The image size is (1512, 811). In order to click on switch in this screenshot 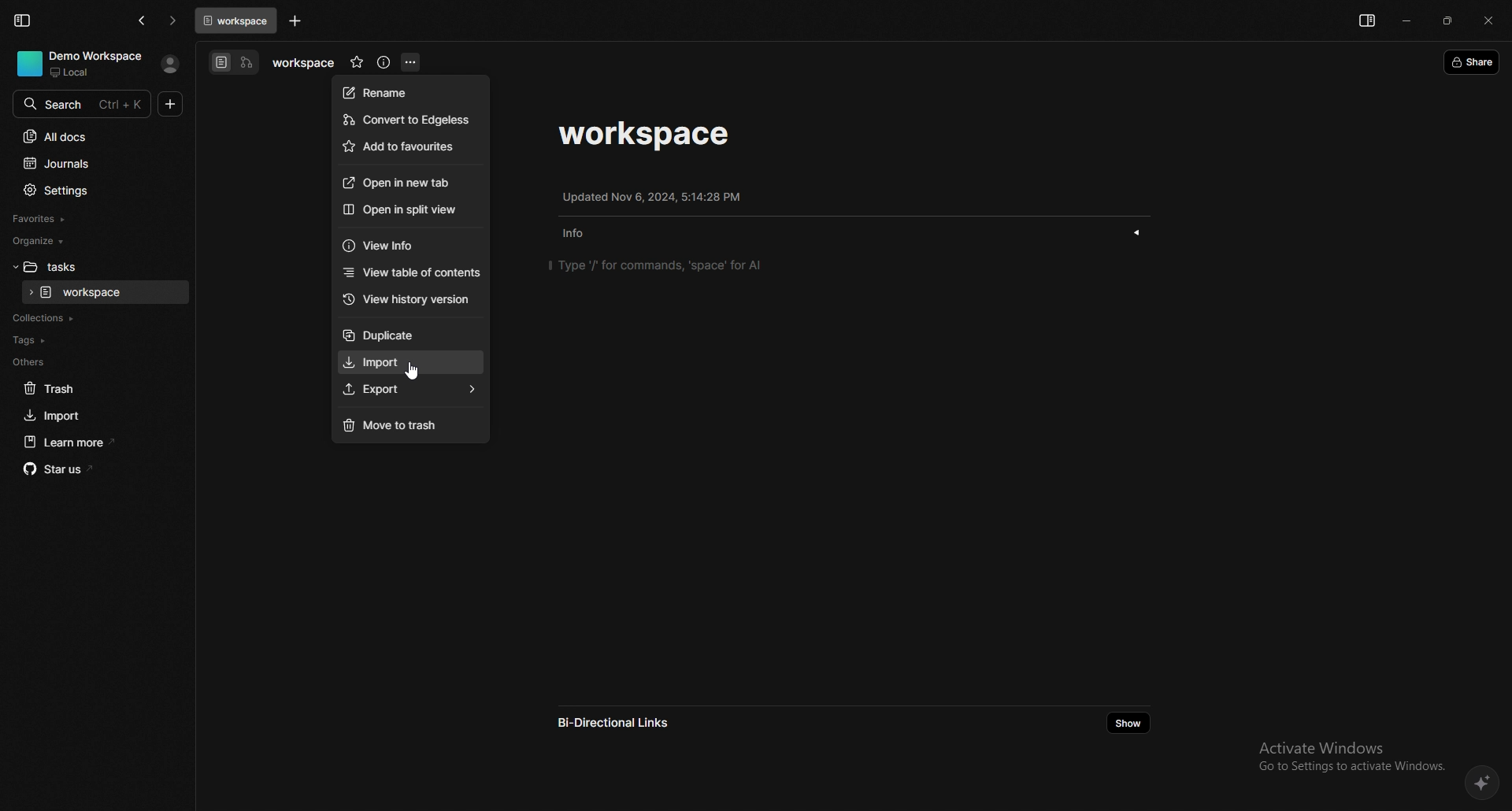, I will do `click(235, 63)`.